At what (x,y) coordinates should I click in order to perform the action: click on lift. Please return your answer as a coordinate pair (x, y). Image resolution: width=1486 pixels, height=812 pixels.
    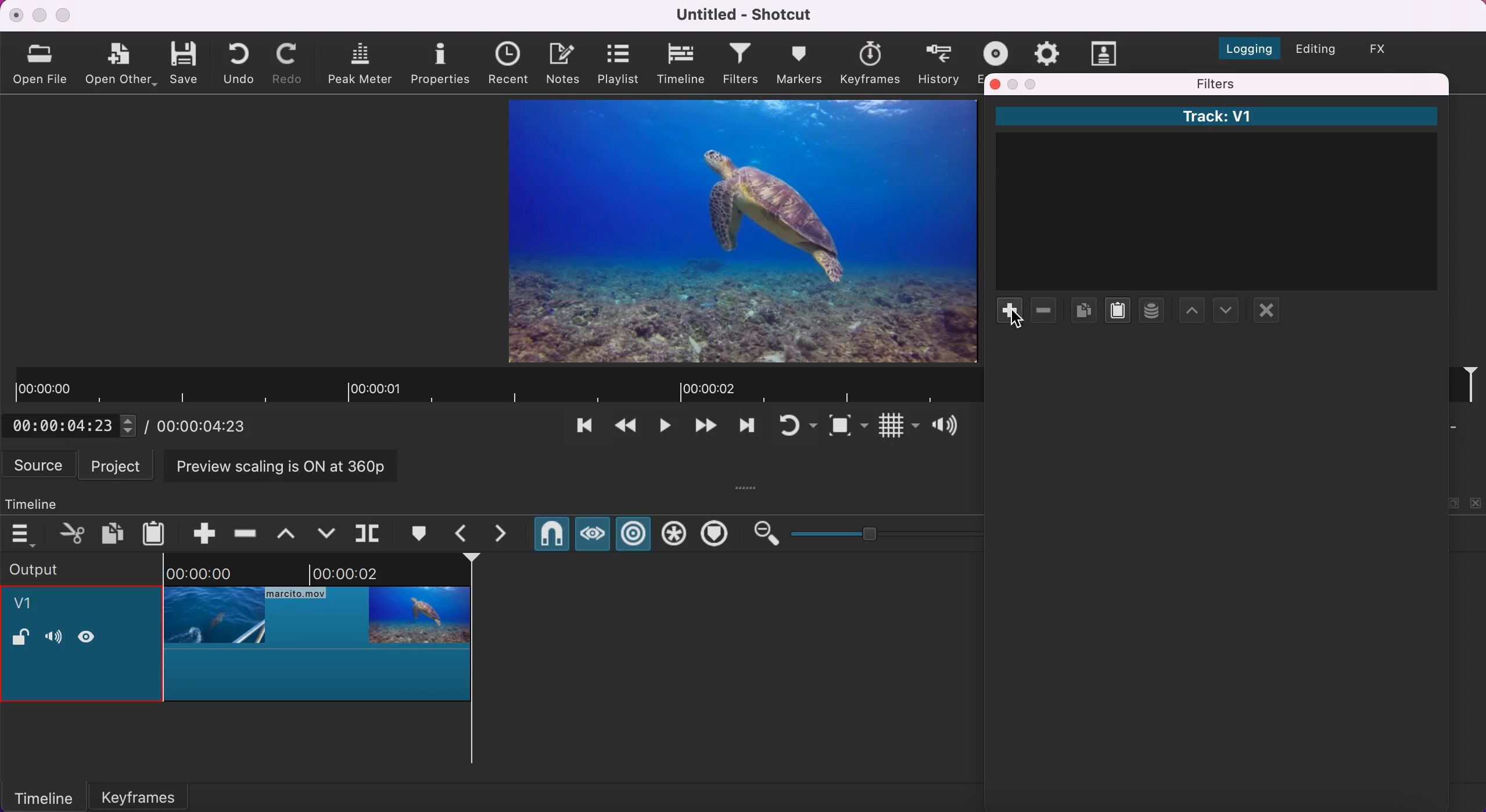
    Looking at the image, I should click on (291, 533).